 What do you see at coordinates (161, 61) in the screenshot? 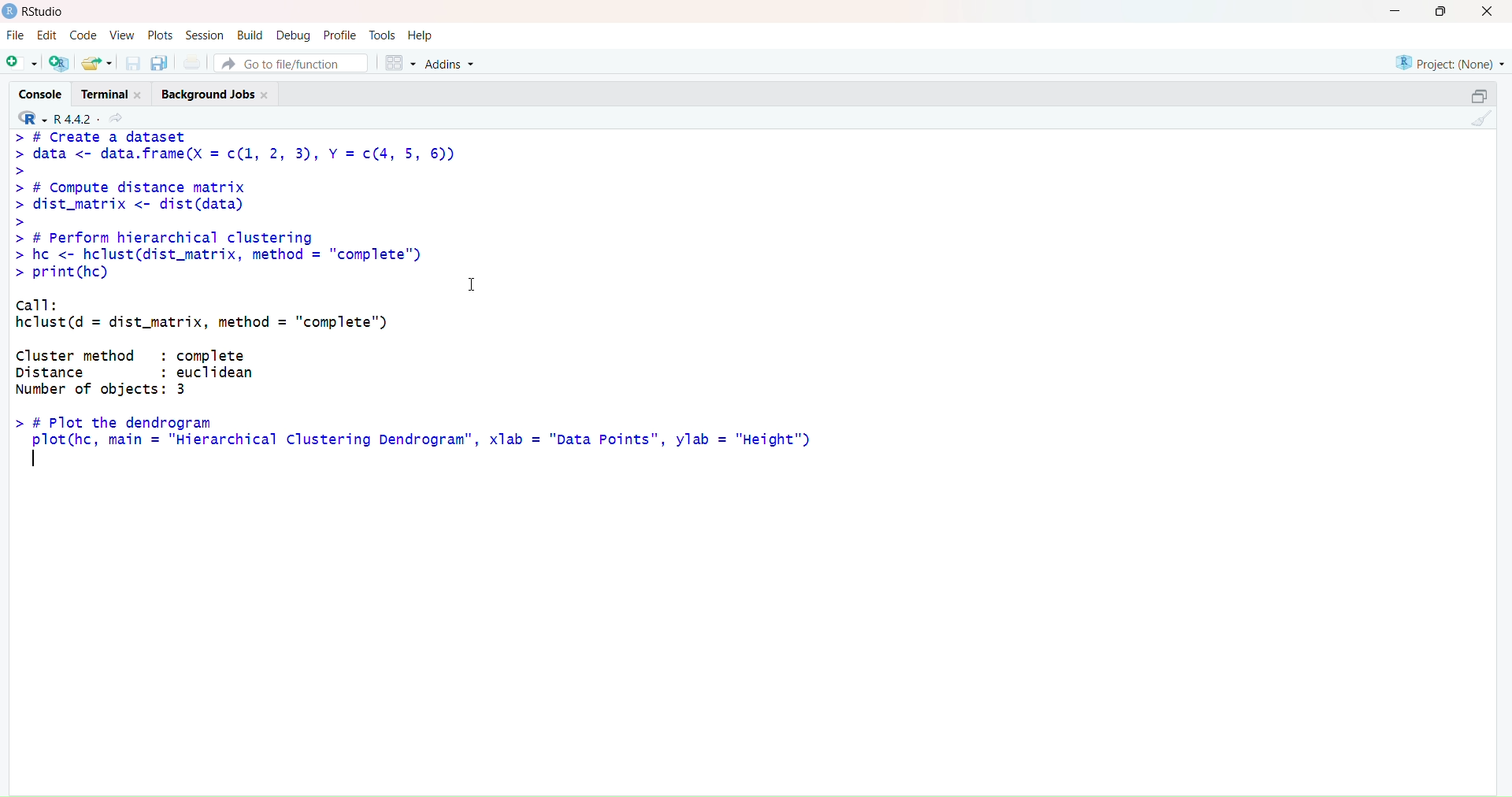
I see `Save all open documents (Ctrl + Alt + S)` at bounding box center [161, 61].